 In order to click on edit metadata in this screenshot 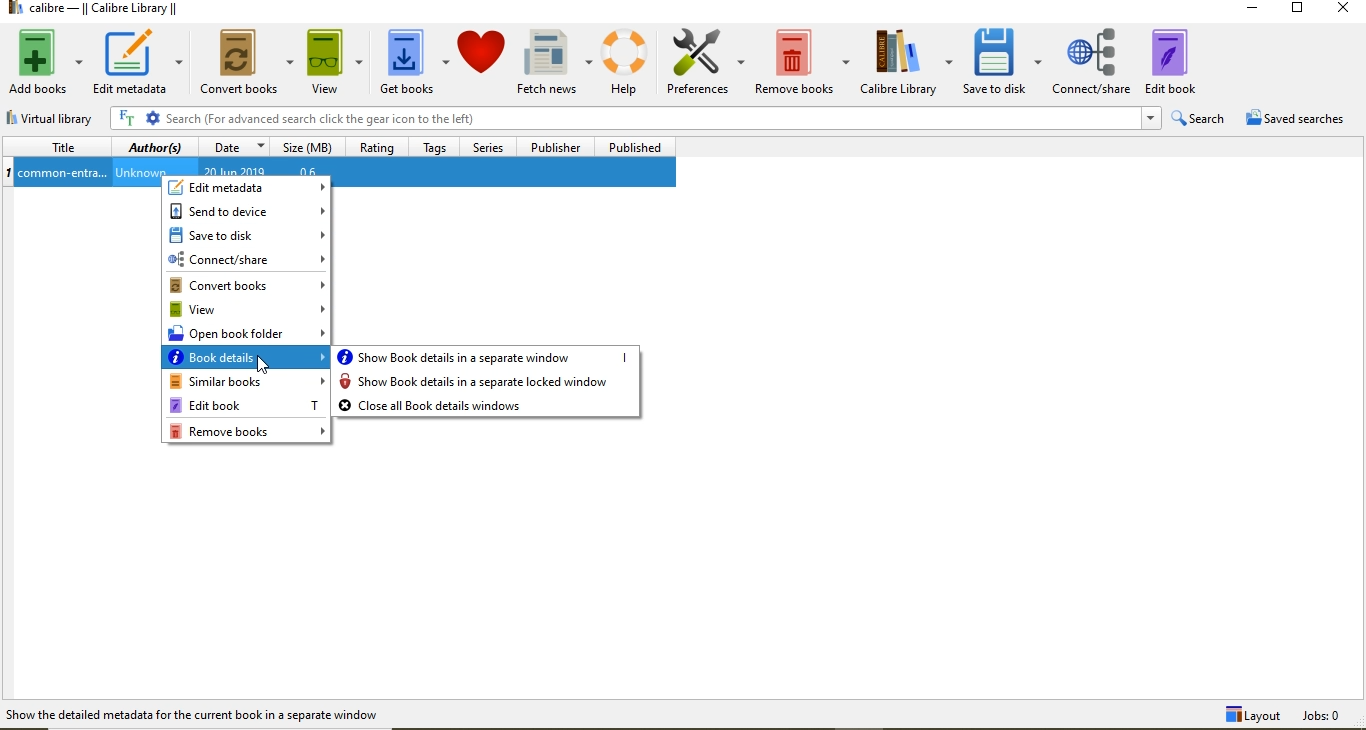, I will do `click(136, 62)`.